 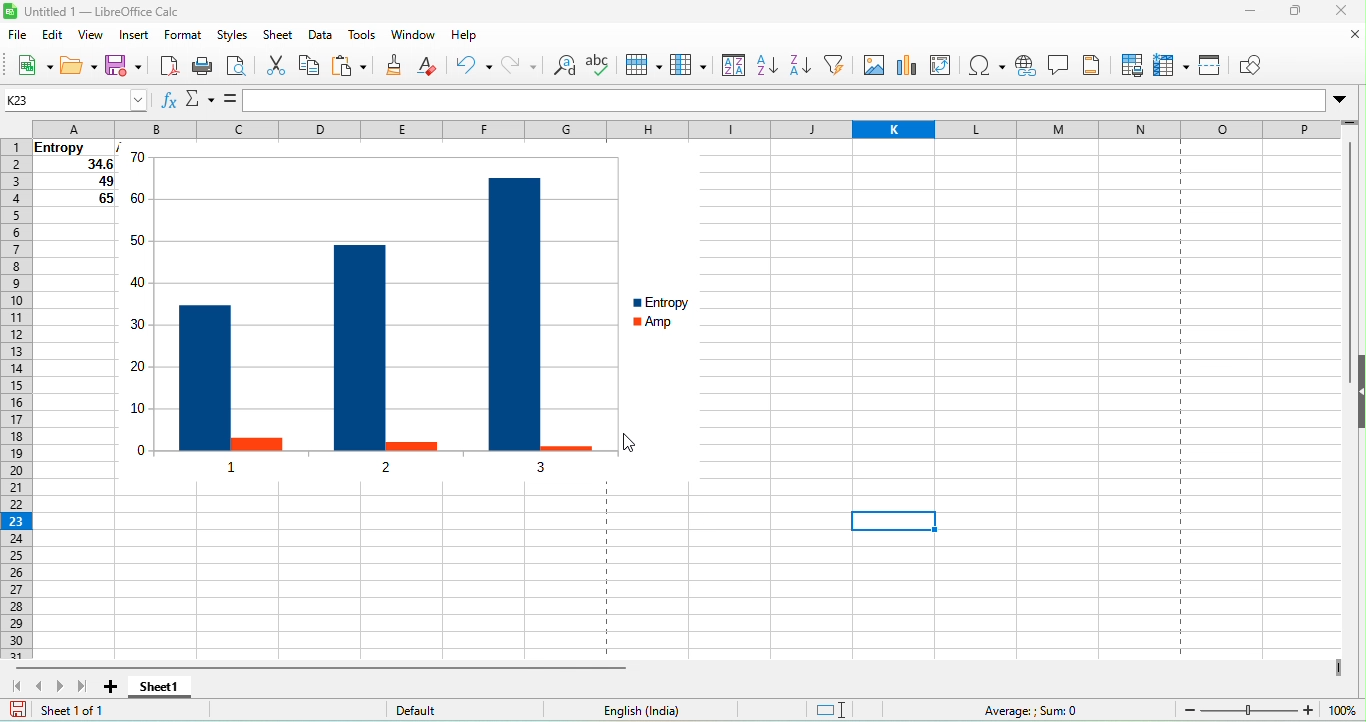 What do you see at coordinates (1129, 67) in the screenshot?
I see `print area` at bounding box center [1129, 67].